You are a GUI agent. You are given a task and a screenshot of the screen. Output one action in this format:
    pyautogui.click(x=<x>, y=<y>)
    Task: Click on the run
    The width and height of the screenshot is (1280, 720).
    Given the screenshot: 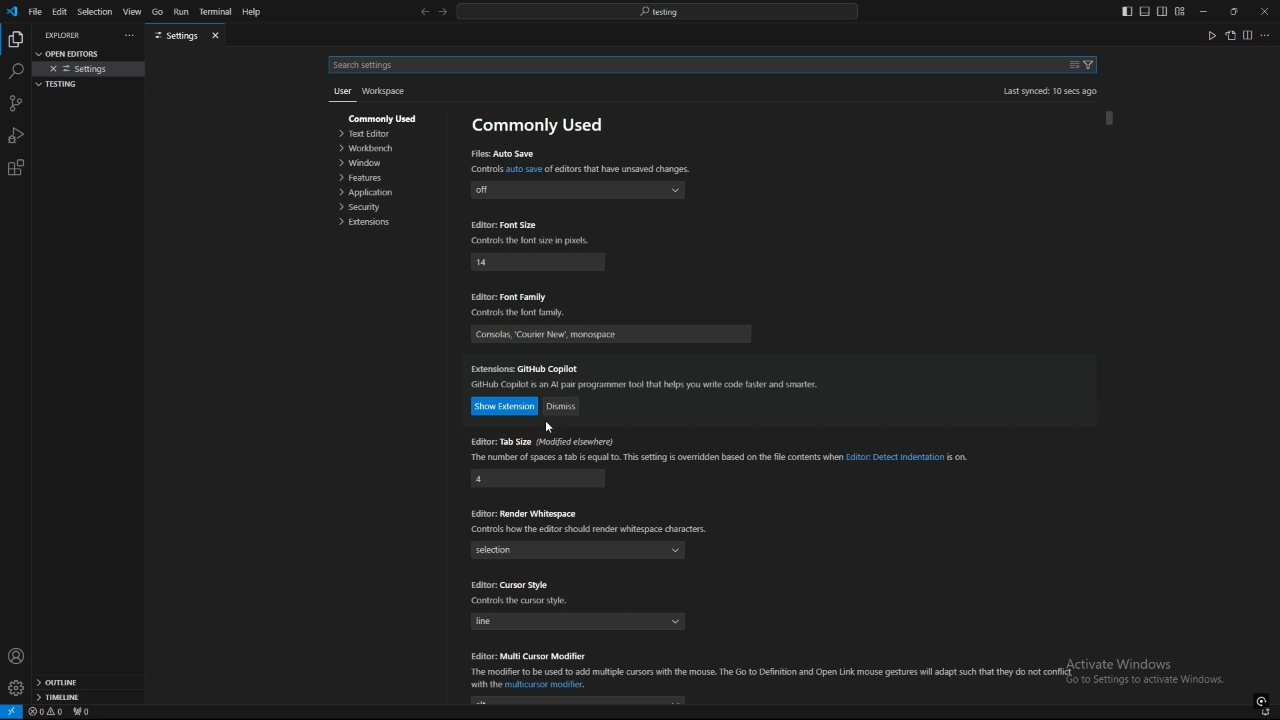 What is the action you would take?
    pyautogui.click(x=180, y=12)
    